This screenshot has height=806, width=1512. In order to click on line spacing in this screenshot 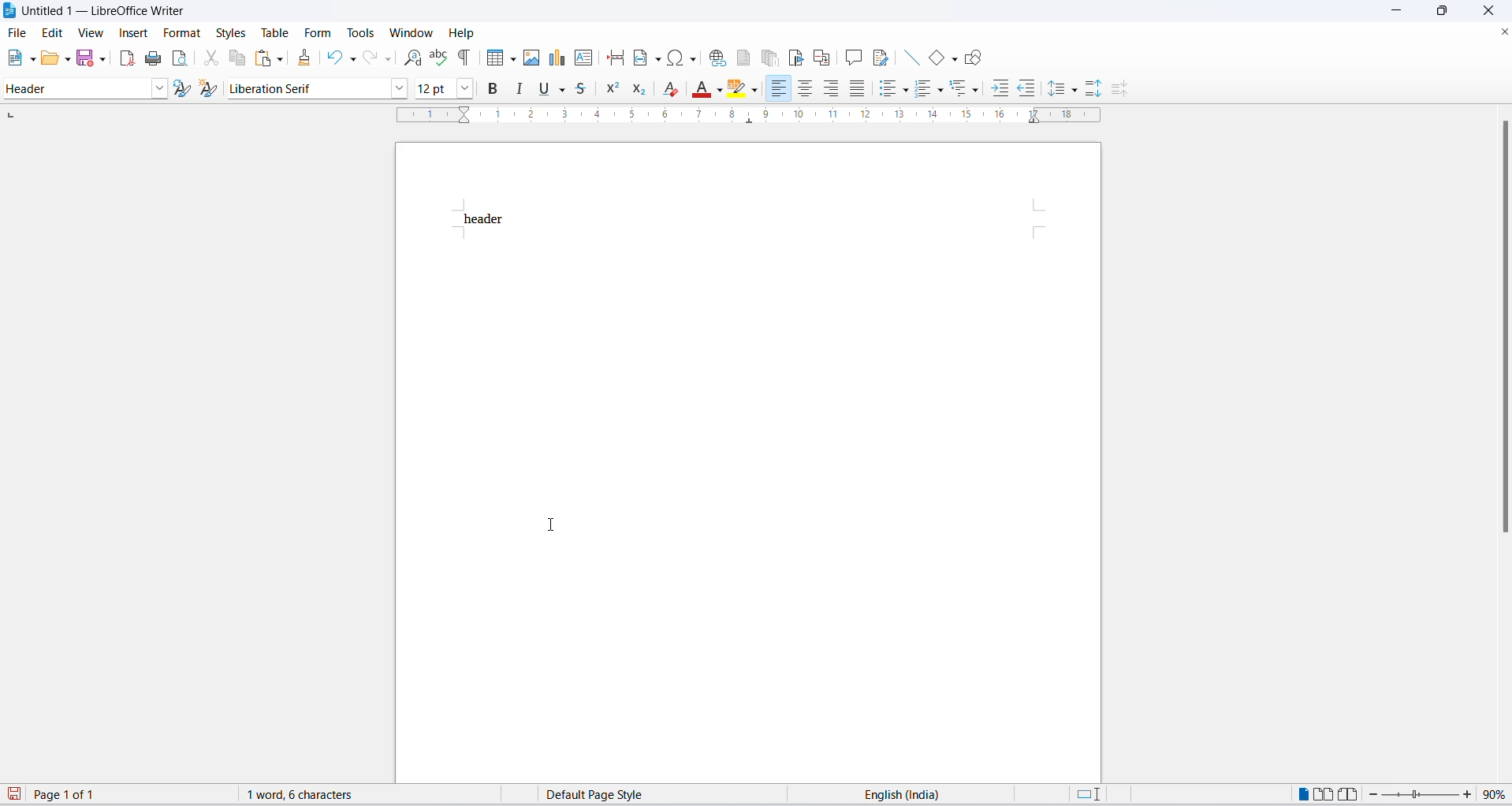, I will do `click(1059, 90)`.